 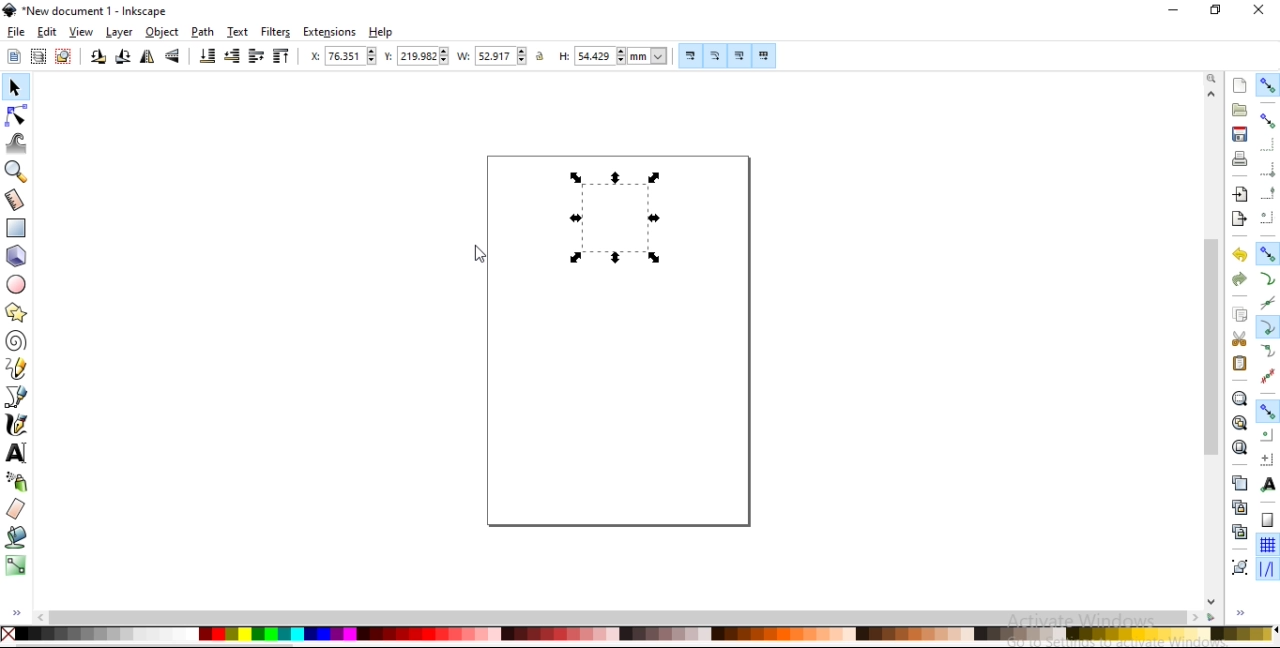 I want to click on create circles, arcs and ellipses, so click(x=18, y=285).